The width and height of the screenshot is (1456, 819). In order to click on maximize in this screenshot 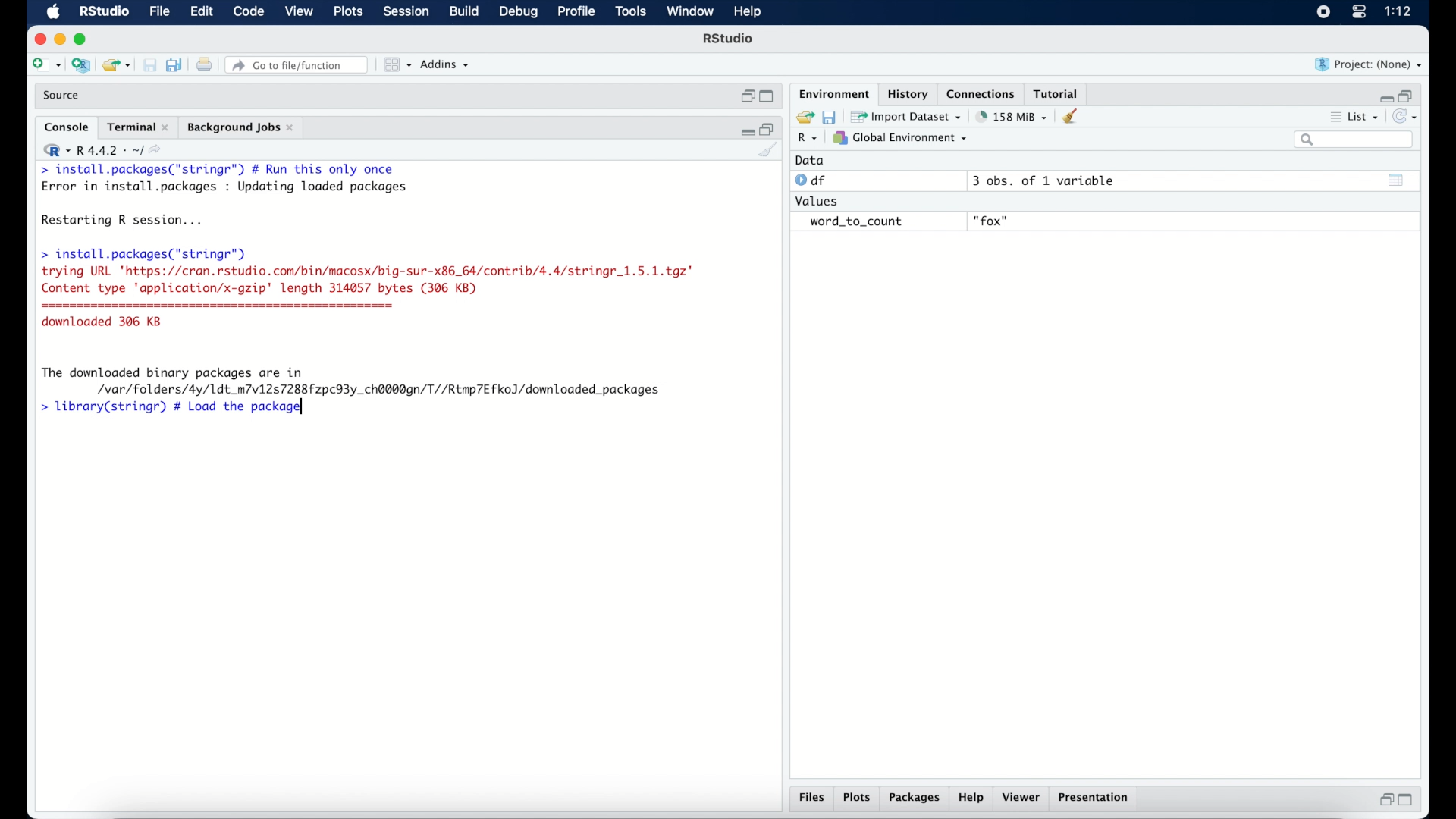, I will do `click(83, 39)`.